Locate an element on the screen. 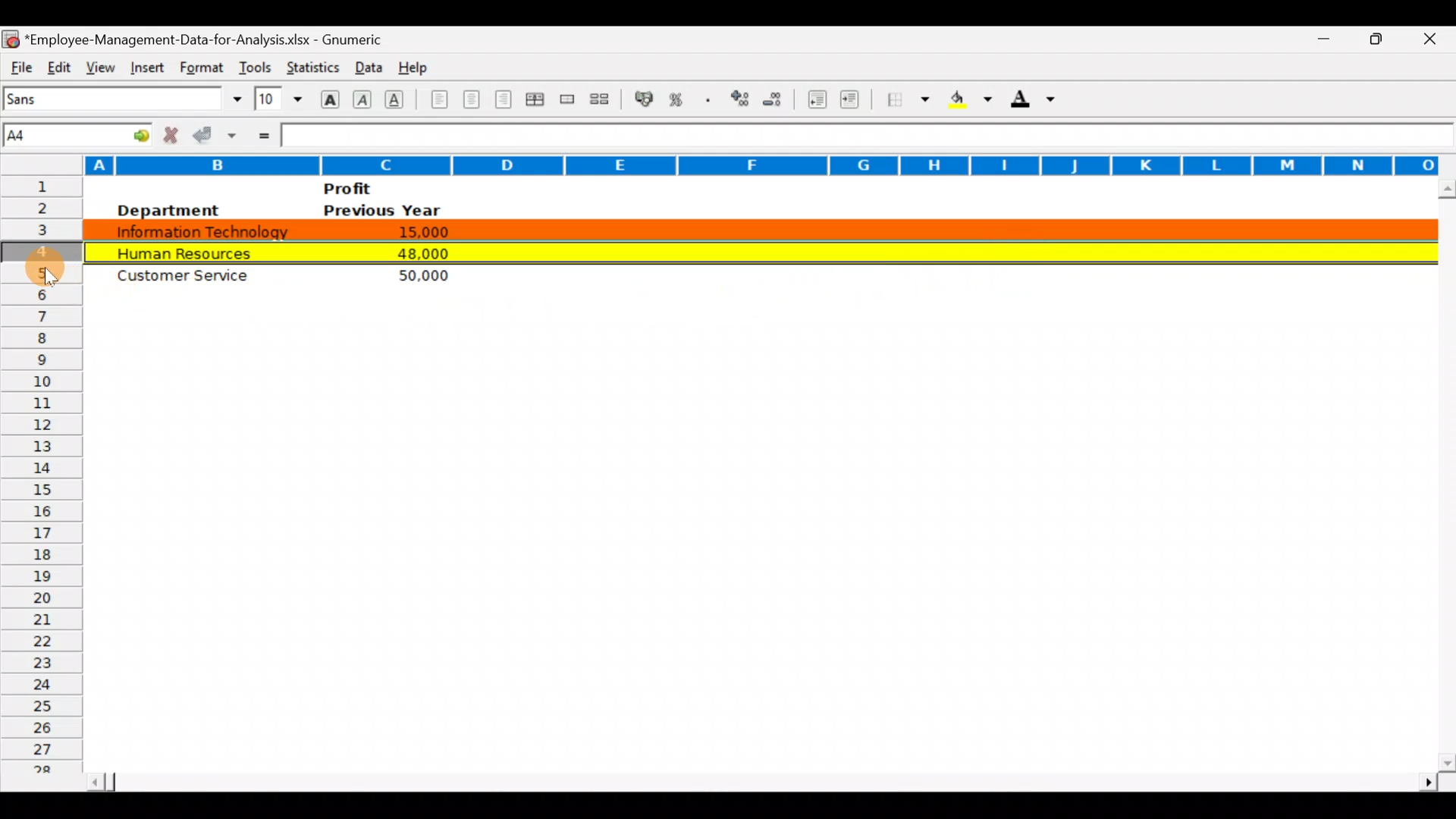 This screenshot has width=1456, height=819. Font name is located at coordinates (124, 99).